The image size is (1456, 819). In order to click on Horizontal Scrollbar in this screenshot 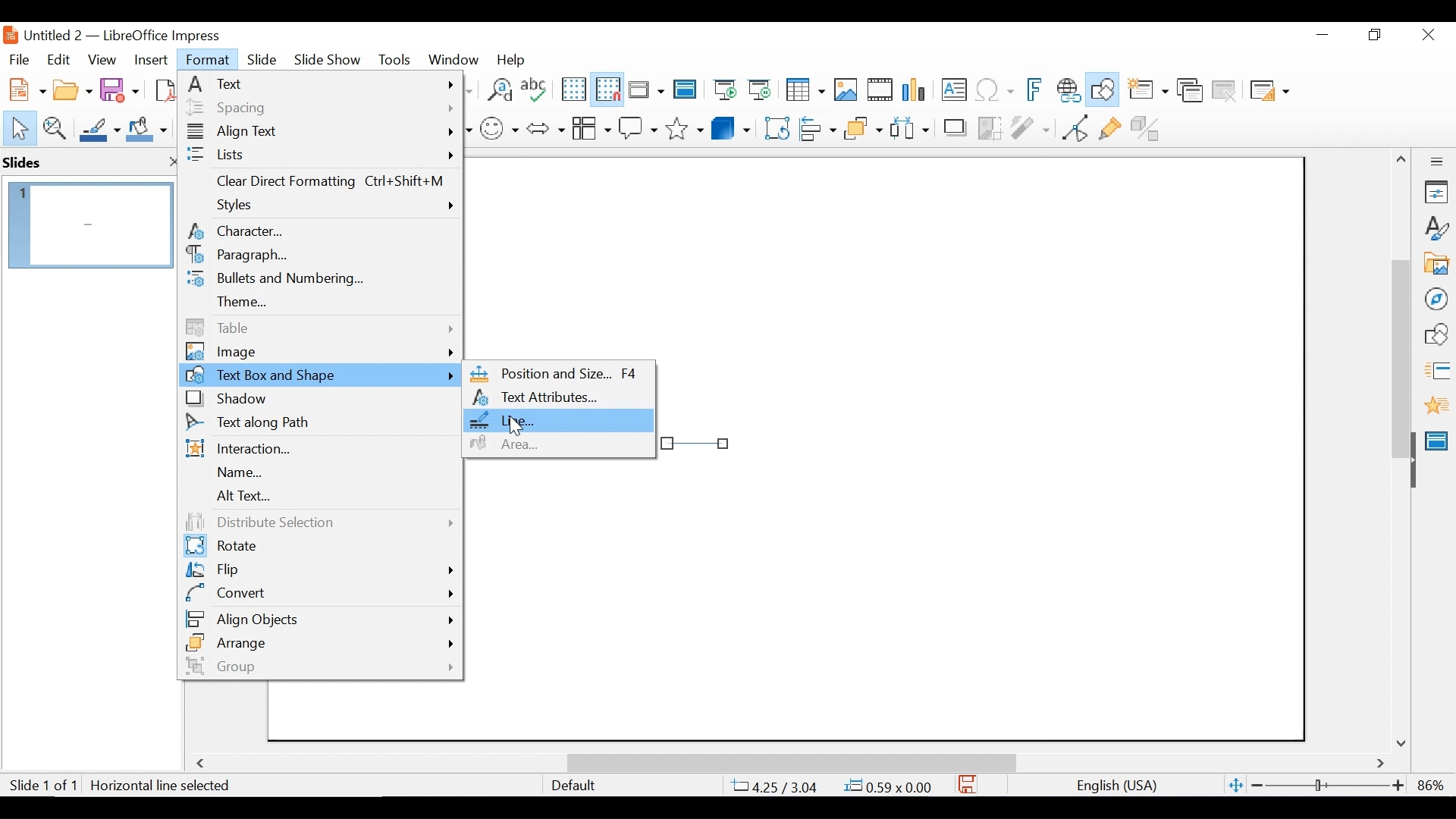, I will do `click(790, 762)`.